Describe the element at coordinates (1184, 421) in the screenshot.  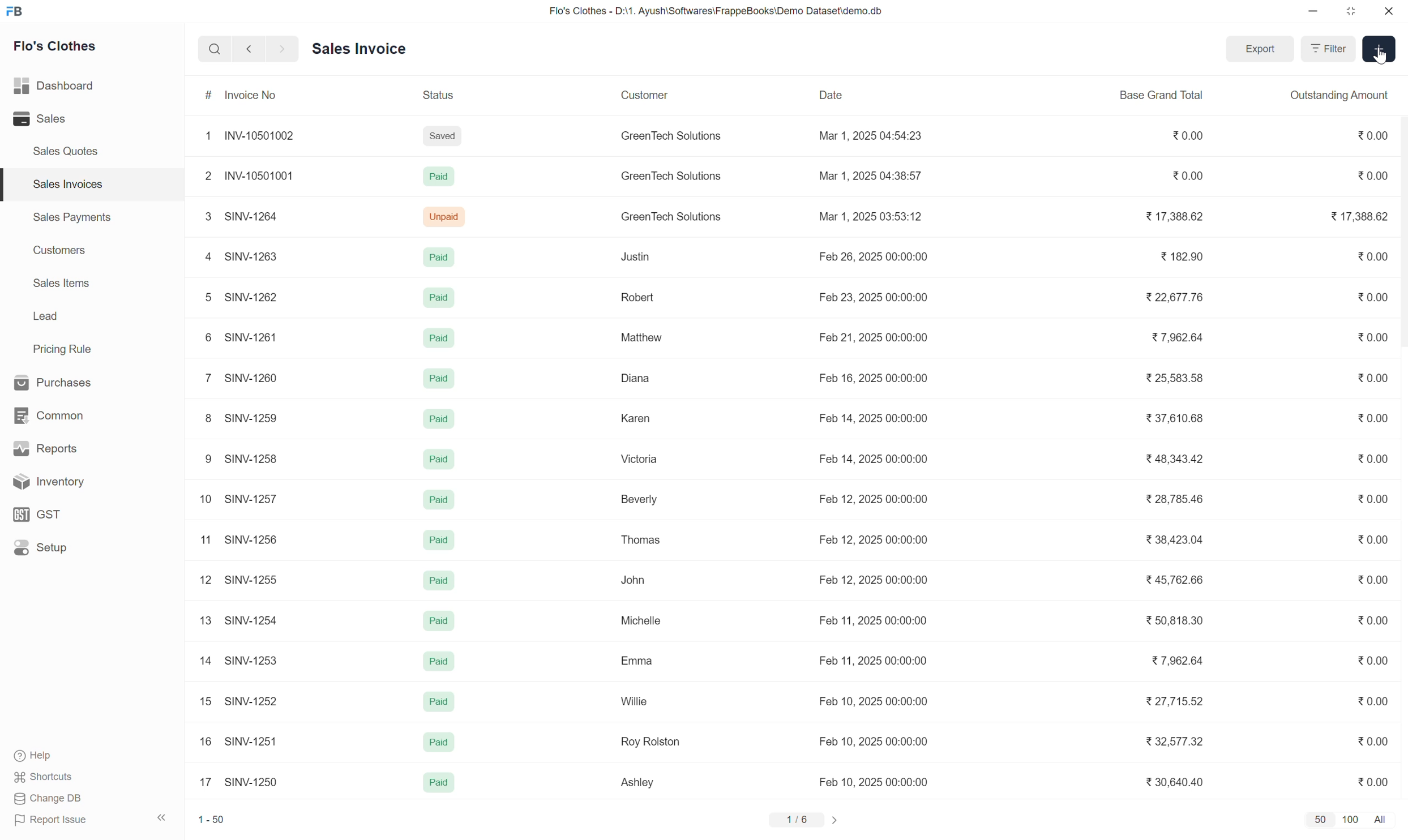
I see `₹37,610.68` at that location.